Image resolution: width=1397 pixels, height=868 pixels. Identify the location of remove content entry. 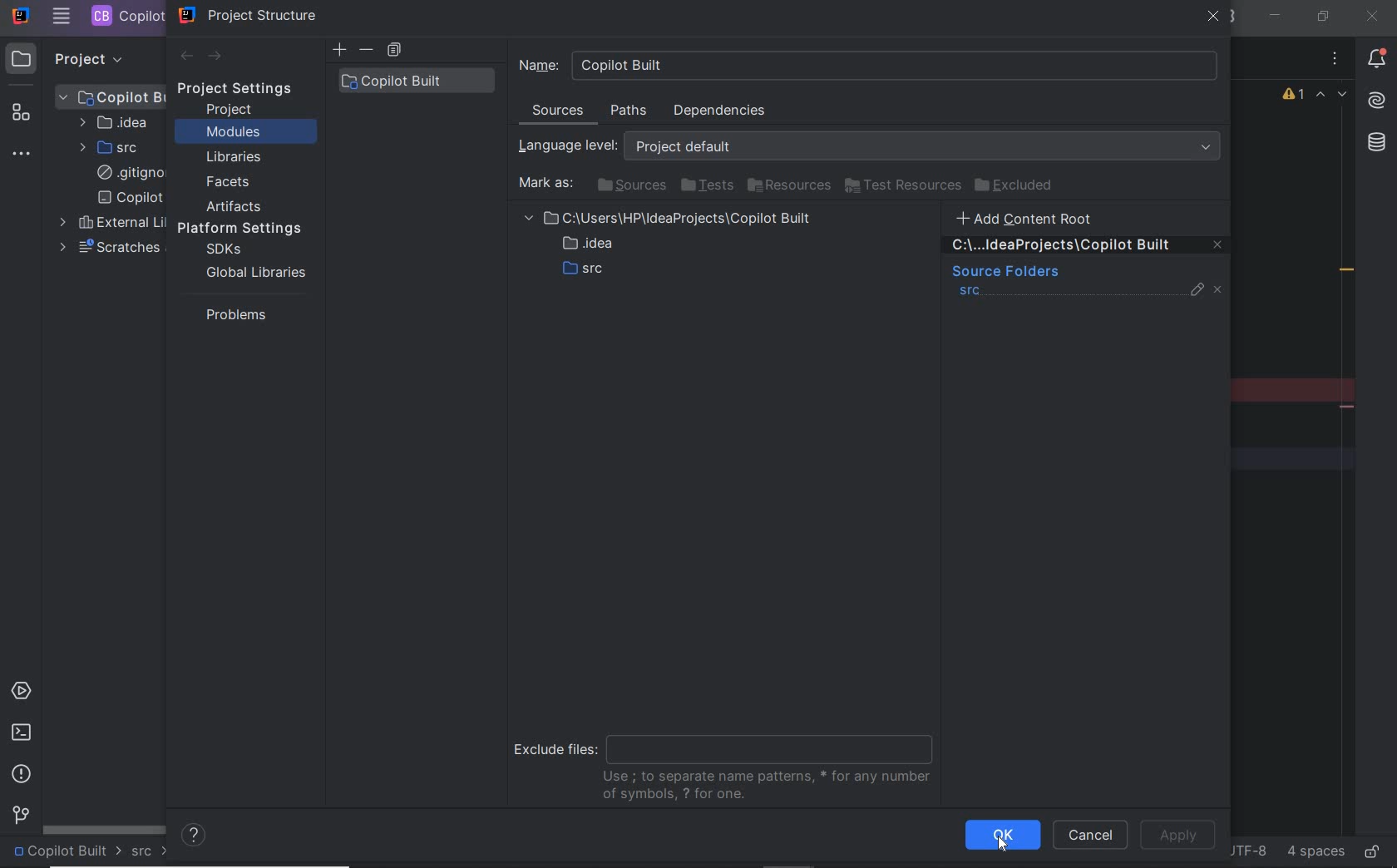
(1088, 248).